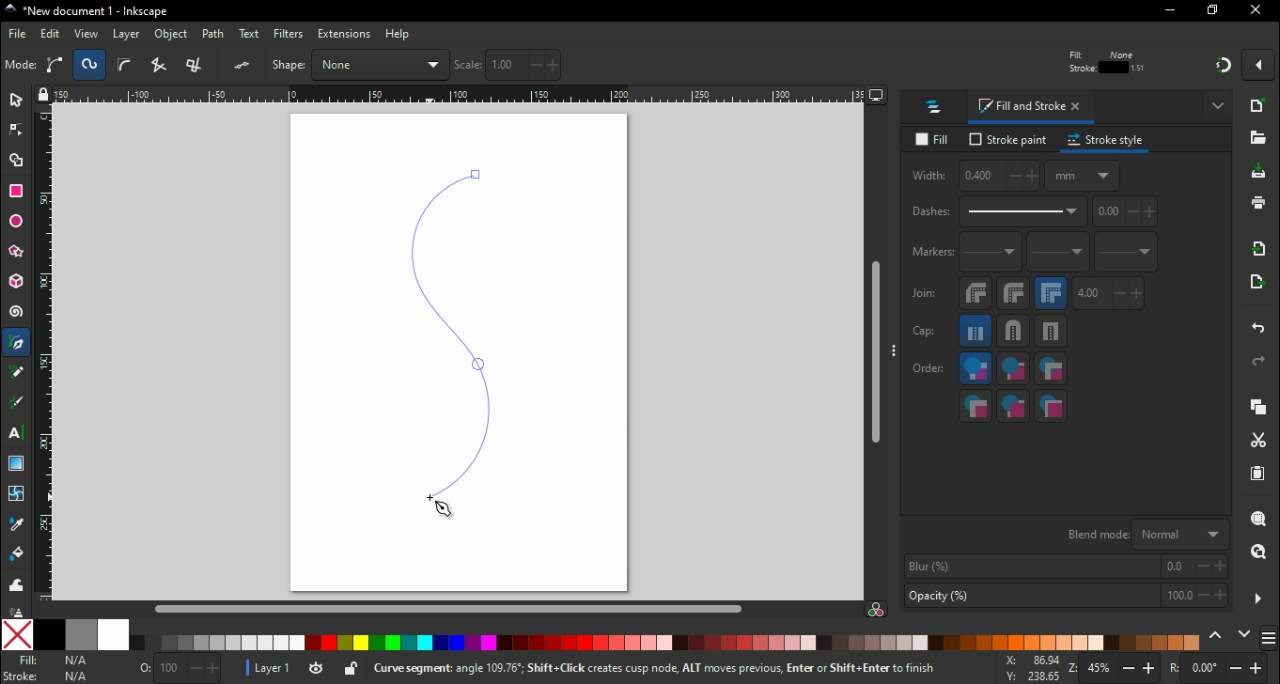  What do you see at coordinates (1258, 475) in the screenshot?
I see `paste` at bounding box center [1258, 475].